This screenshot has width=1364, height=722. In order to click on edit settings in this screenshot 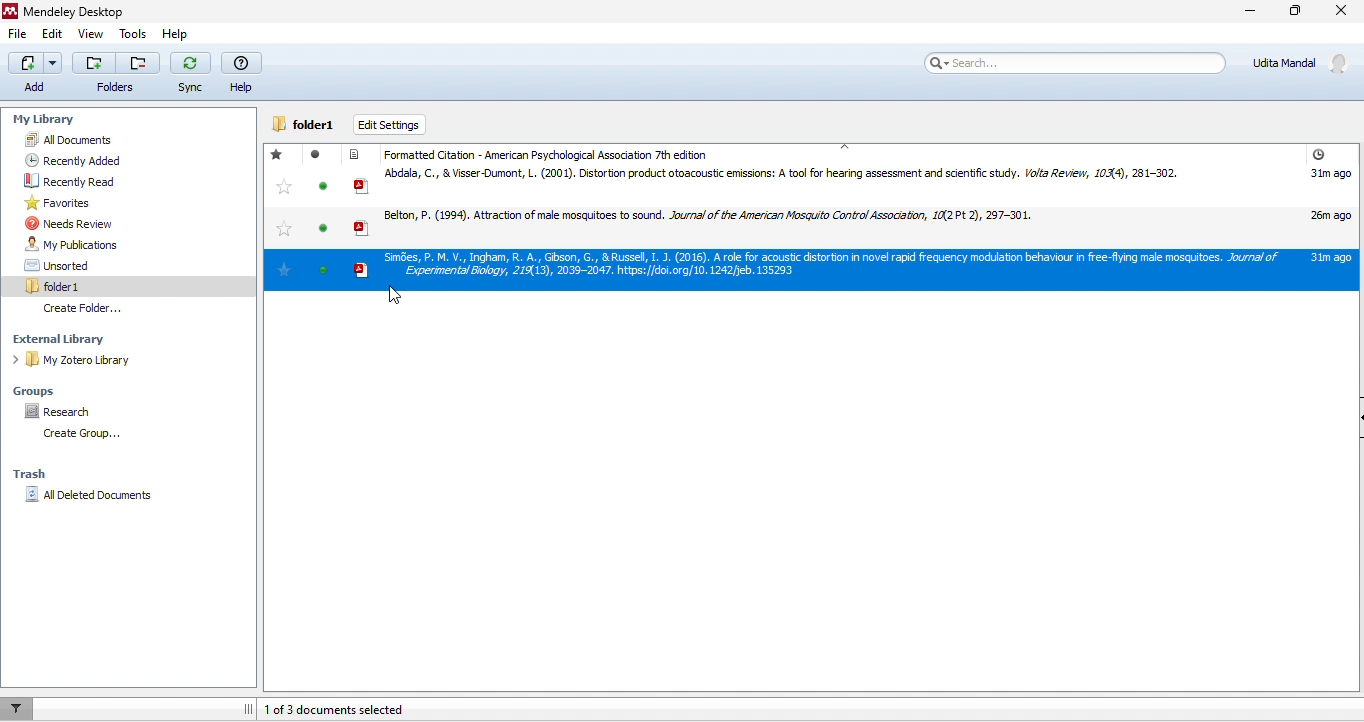, I will do `click(392, 125)`.